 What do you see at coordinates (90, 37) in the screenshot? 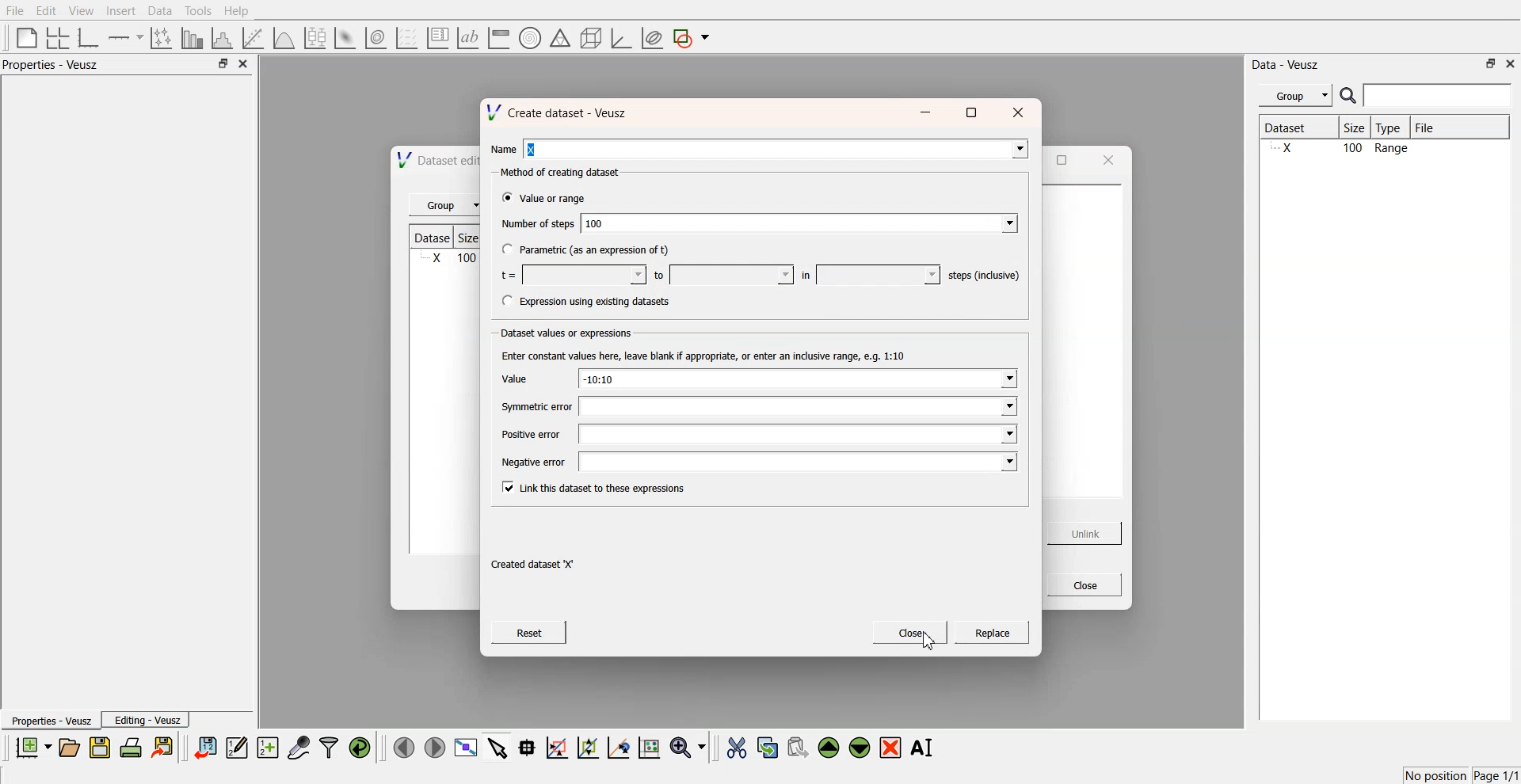
I see `base graphs` at bounding box center [90, 37].